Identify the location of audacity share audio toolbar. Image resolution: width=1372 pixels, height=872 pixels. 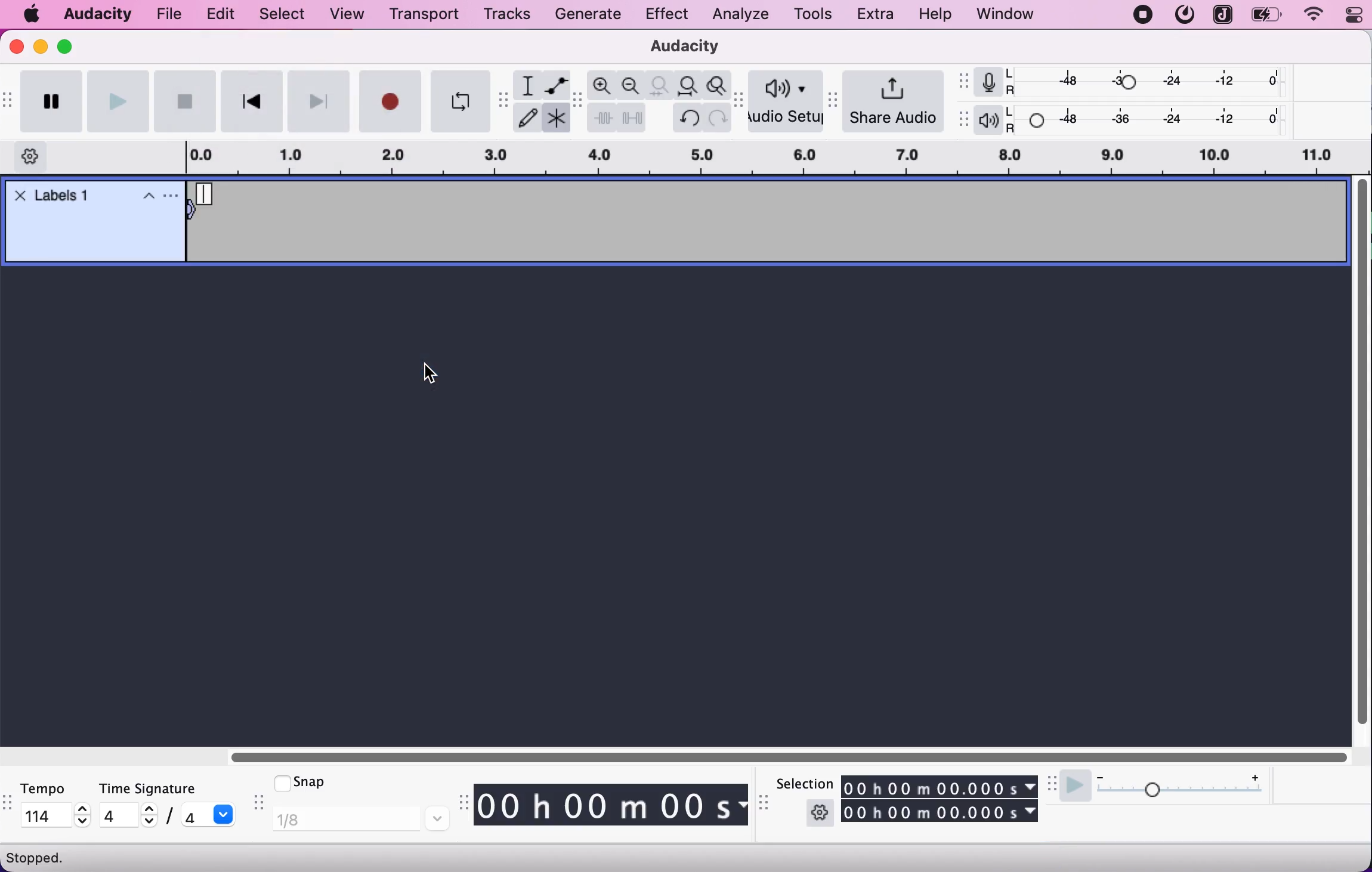
(836, 95).